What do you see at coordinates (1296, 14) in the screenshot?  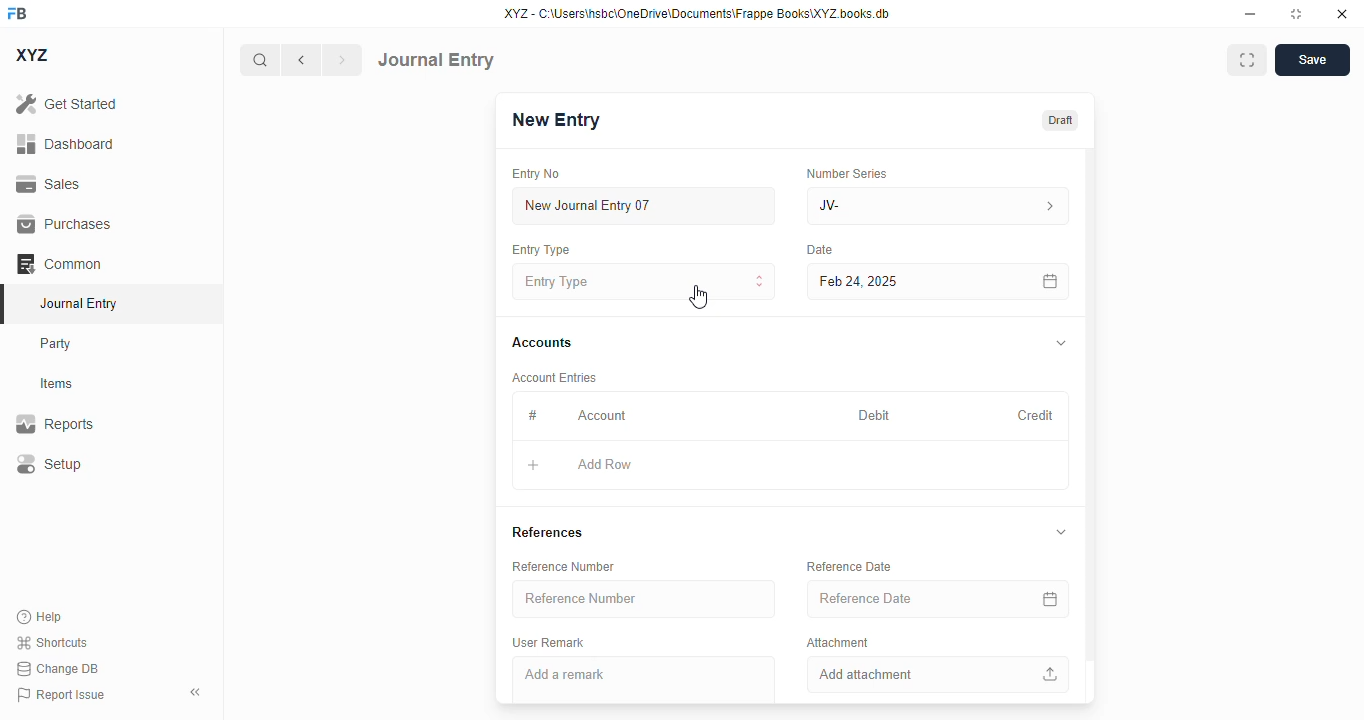 I see `toggle maximize` at bounding box center [1296, 14].